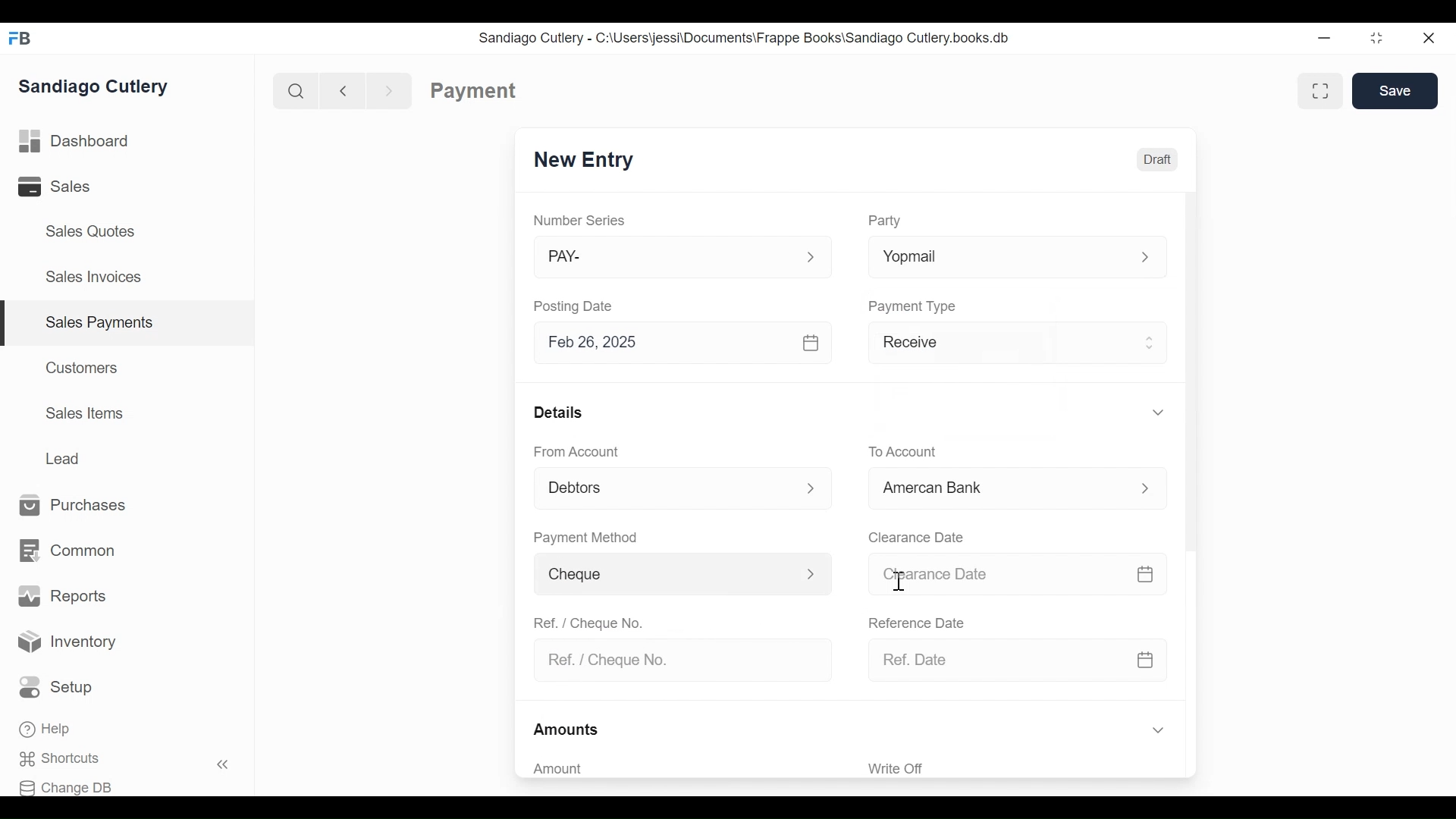 The image size is (1456, 819). I want to click on Receive, so click(997, 345).